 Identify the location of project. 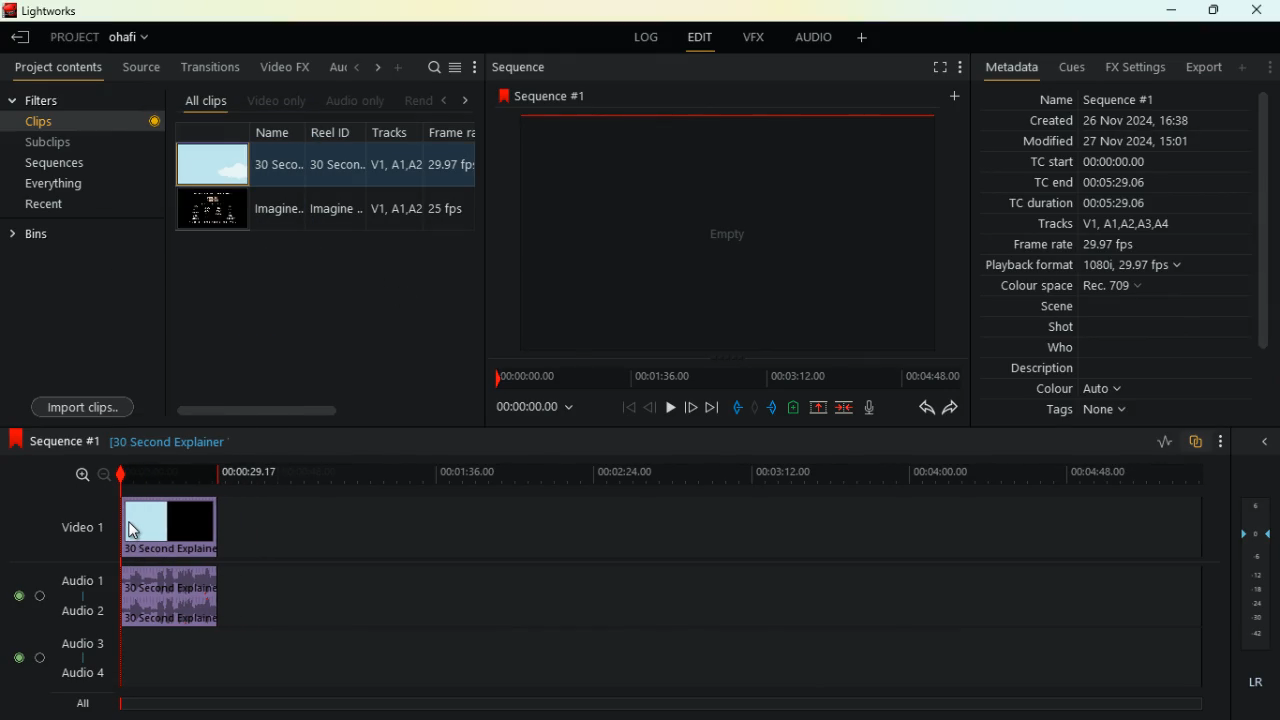
(106, 37).